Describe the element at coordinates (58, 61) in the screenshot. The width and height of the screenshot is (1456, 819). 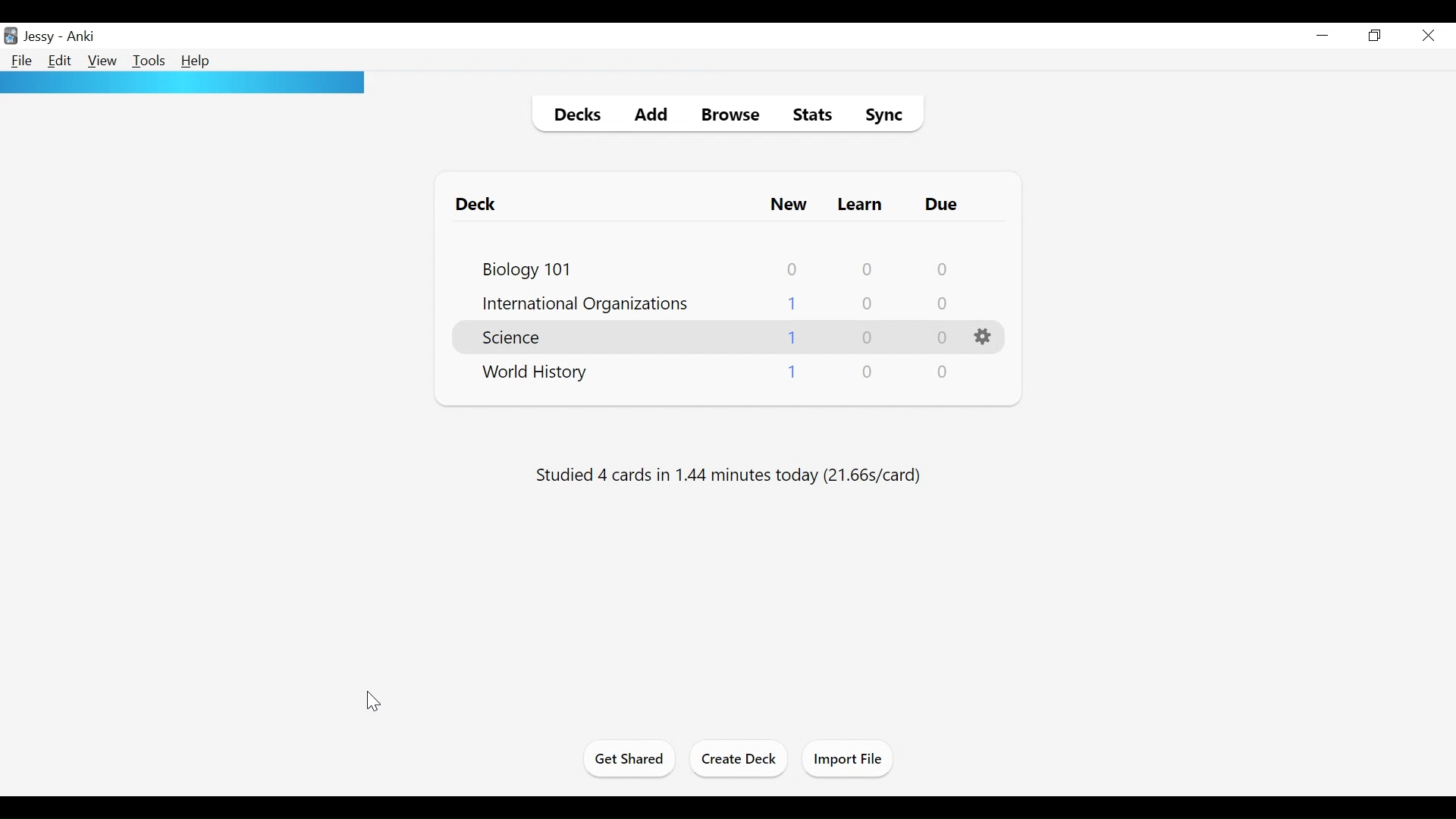
I see `Edit` at that location.